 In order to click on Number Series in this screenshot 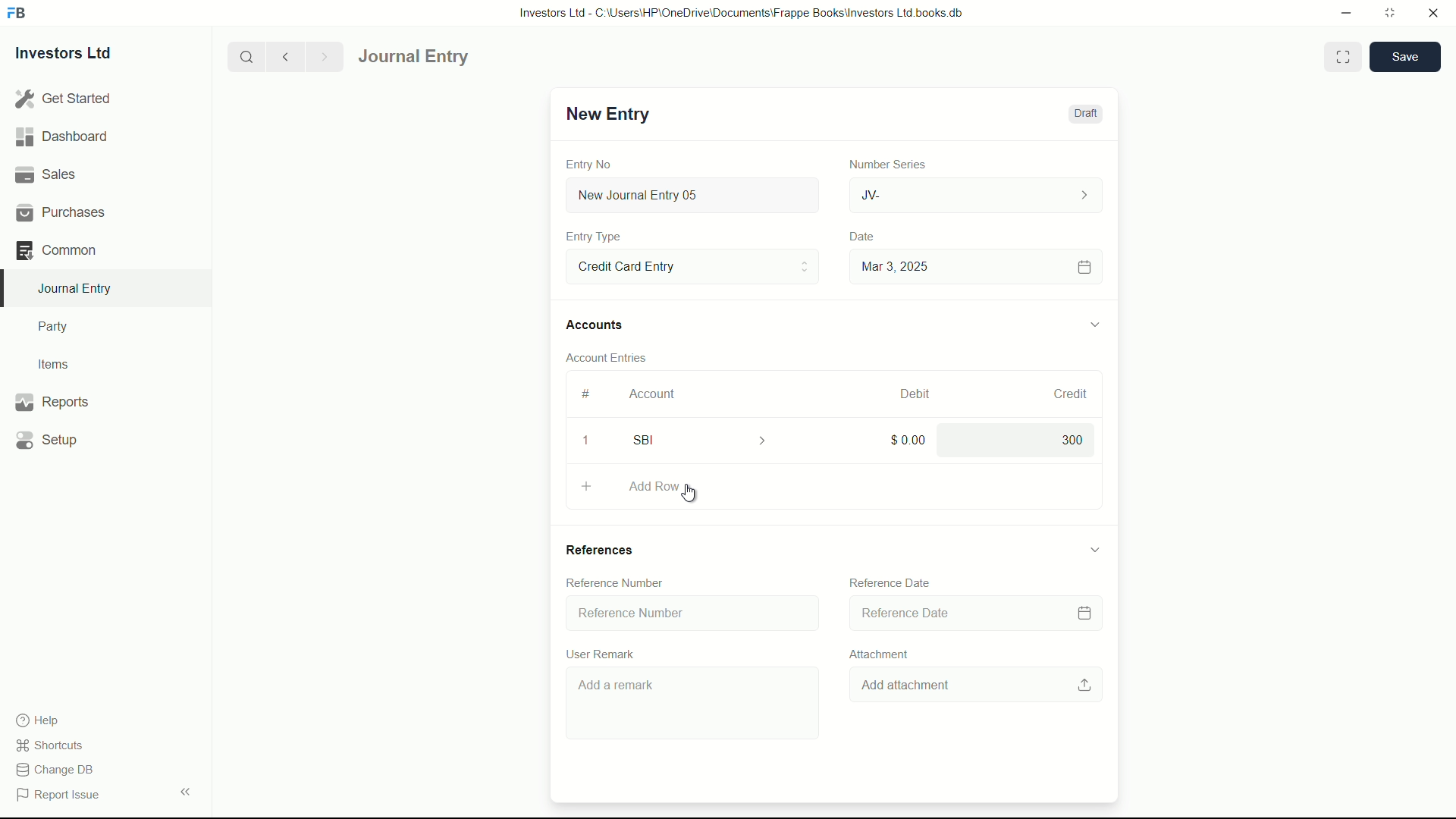, I will do `click(881, 163)`.